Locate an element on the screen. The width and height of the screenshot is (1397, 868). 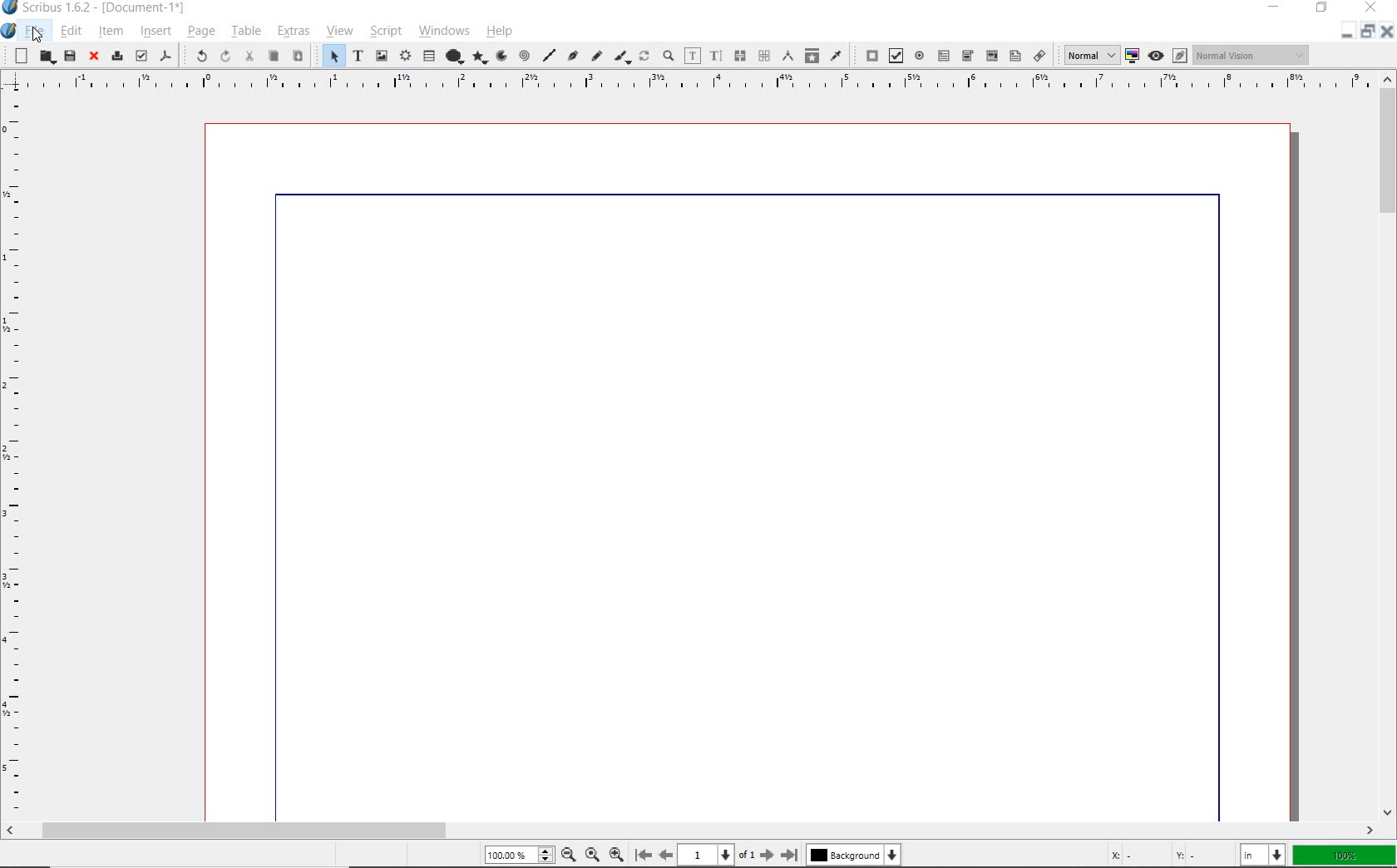
Minimize is located at coordinates (1367, 31).